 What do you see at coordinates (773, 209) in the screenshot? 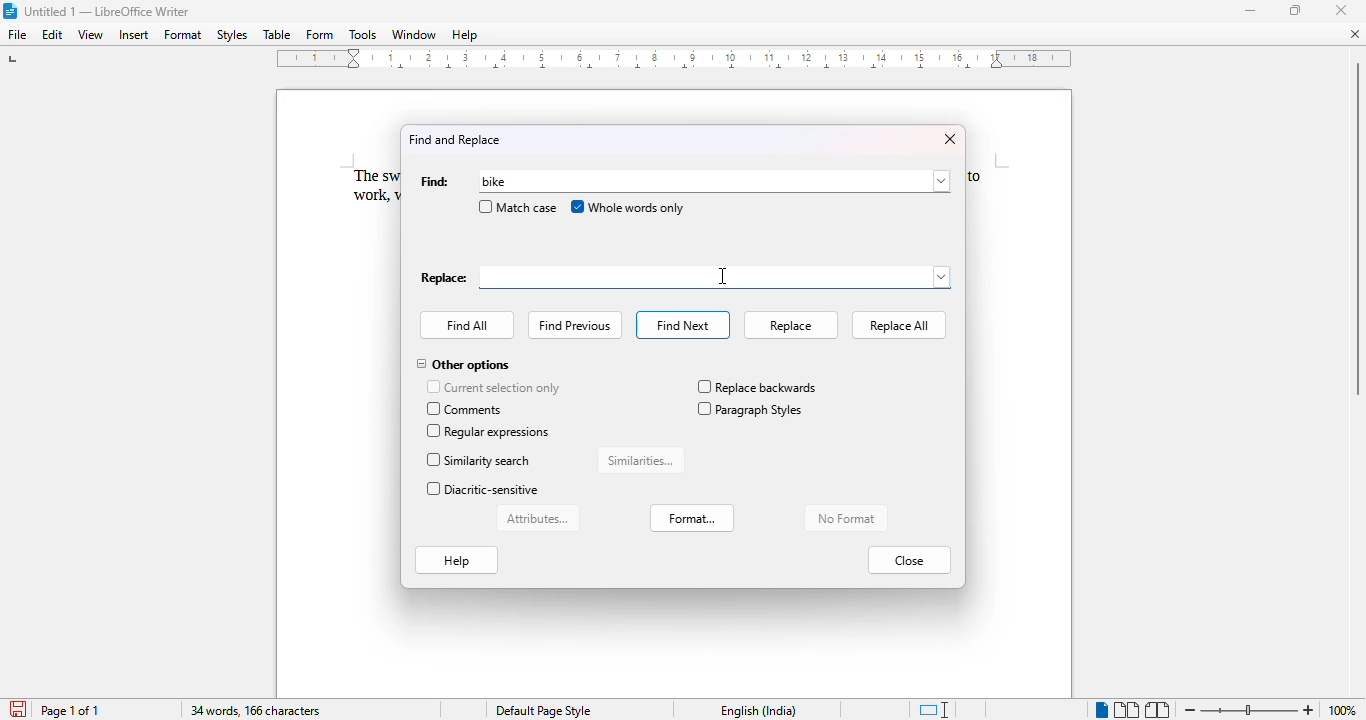
I see `cursor` at bounding box center [773, 209].